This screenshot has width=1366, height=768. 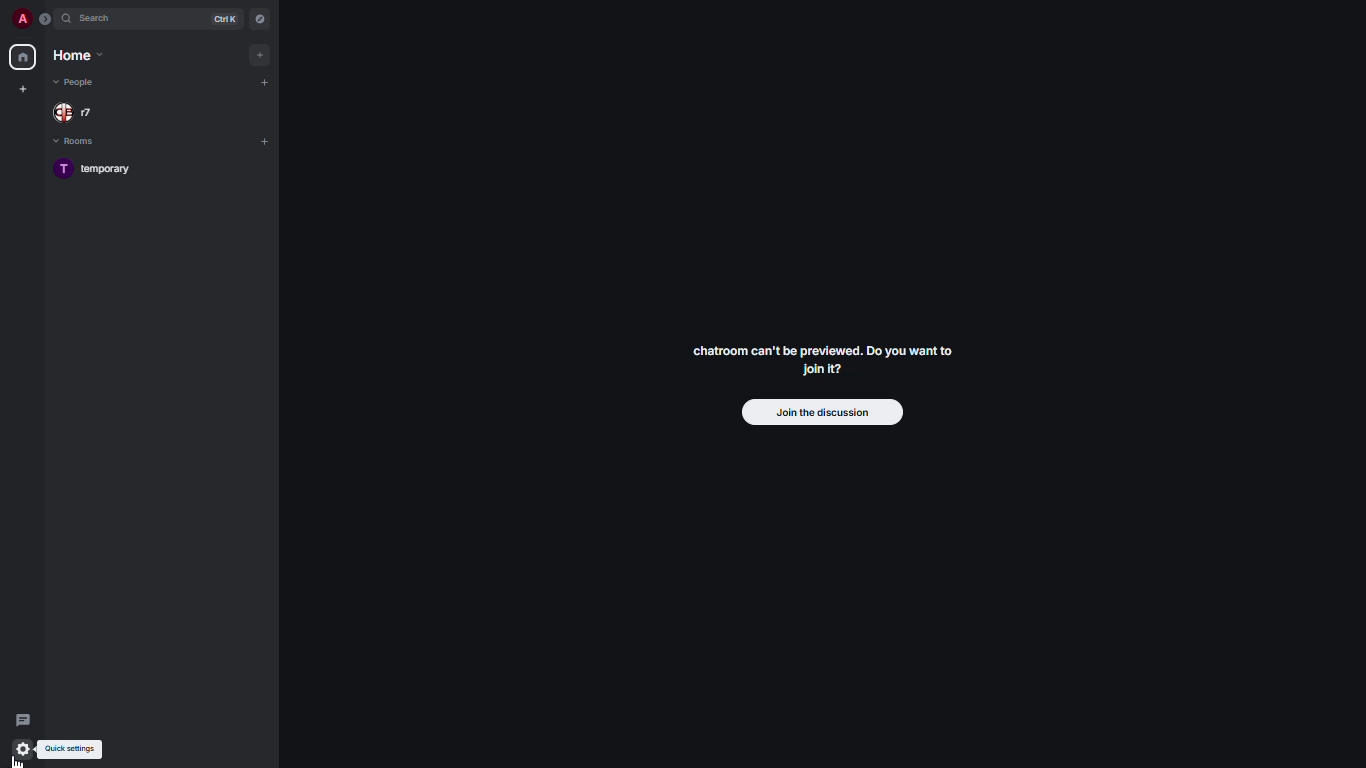 I want to click on quick settings, so click(x=71, y=749).